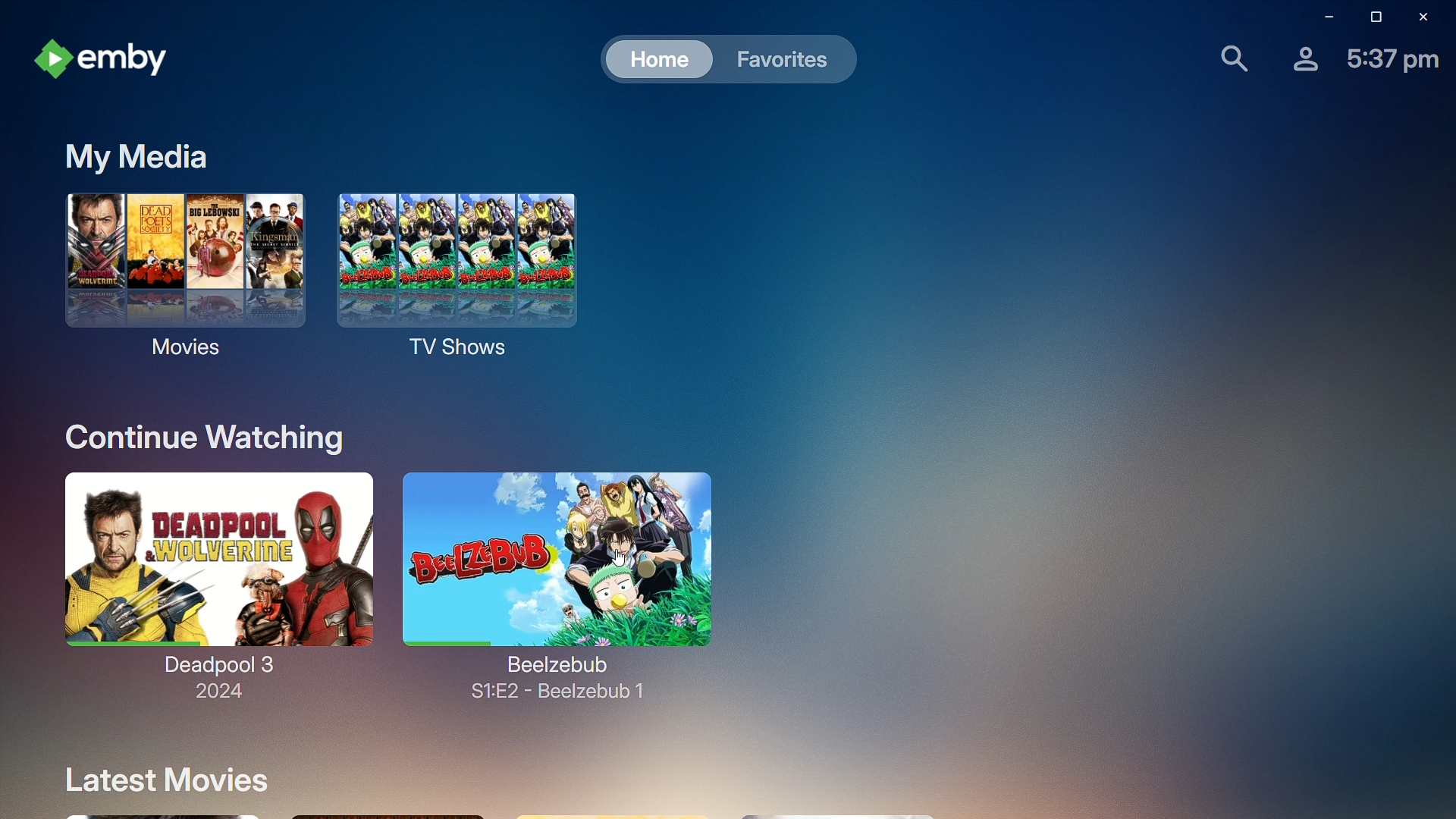 The height and width of the screenshot is (819, 1456). Describe the element at coordinates (1376, 19) in the screenshot. I see `Restore` at that location.